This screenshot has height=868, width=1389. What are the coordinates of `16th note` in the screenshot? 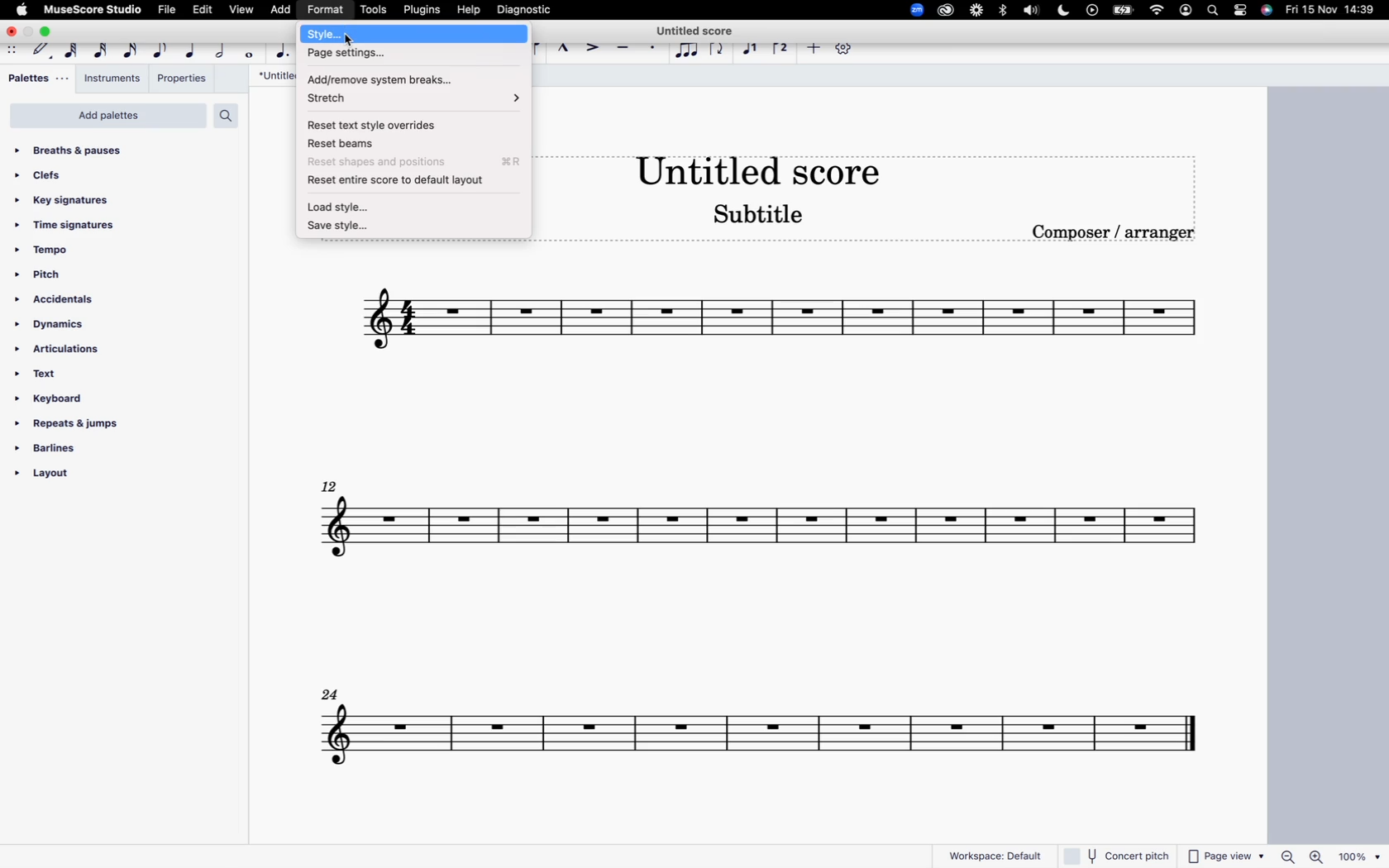 It's located at (133, 51).